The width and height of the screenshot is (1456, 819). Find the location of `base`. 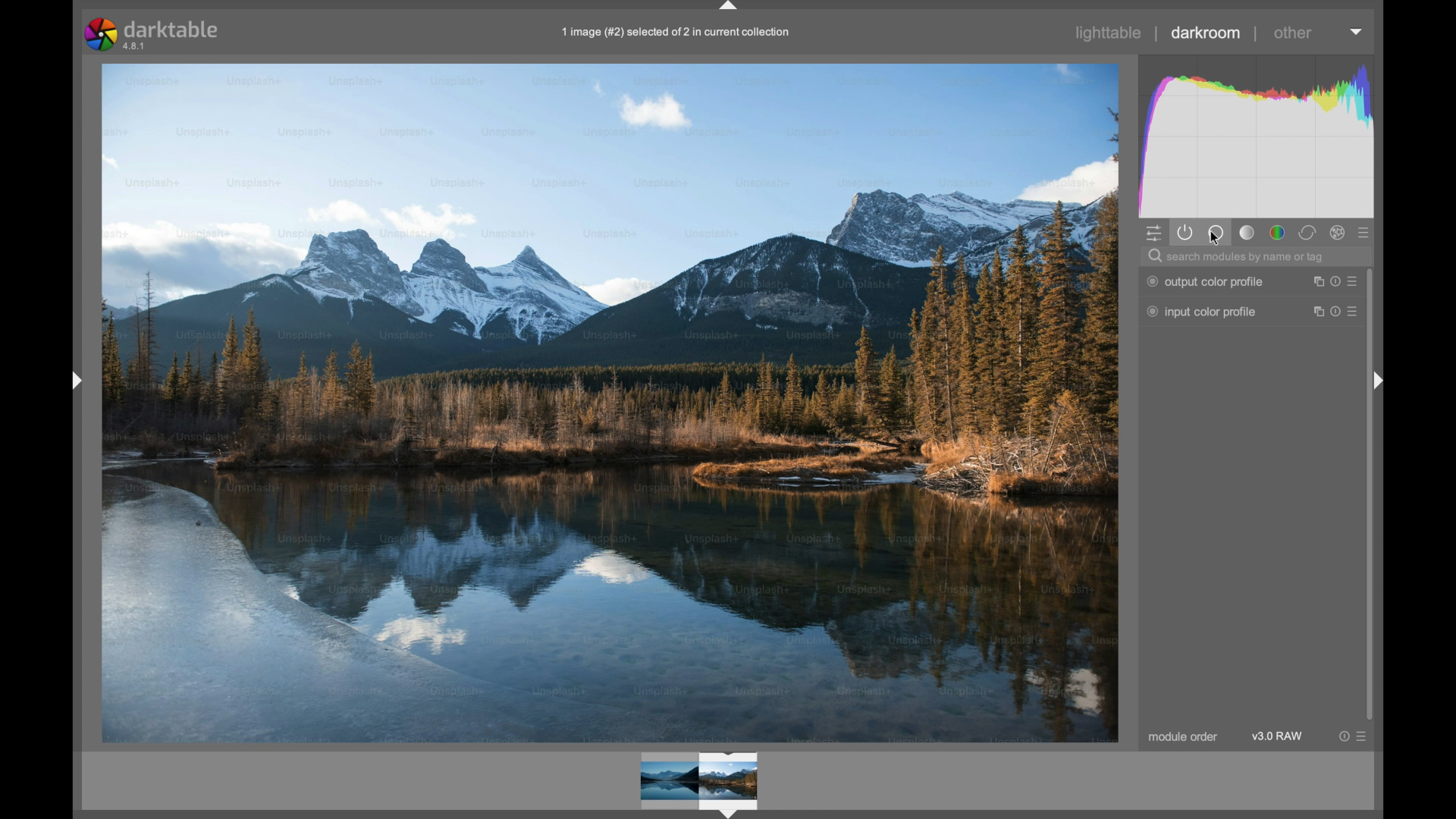

base is located at coordinates (1216, 232).